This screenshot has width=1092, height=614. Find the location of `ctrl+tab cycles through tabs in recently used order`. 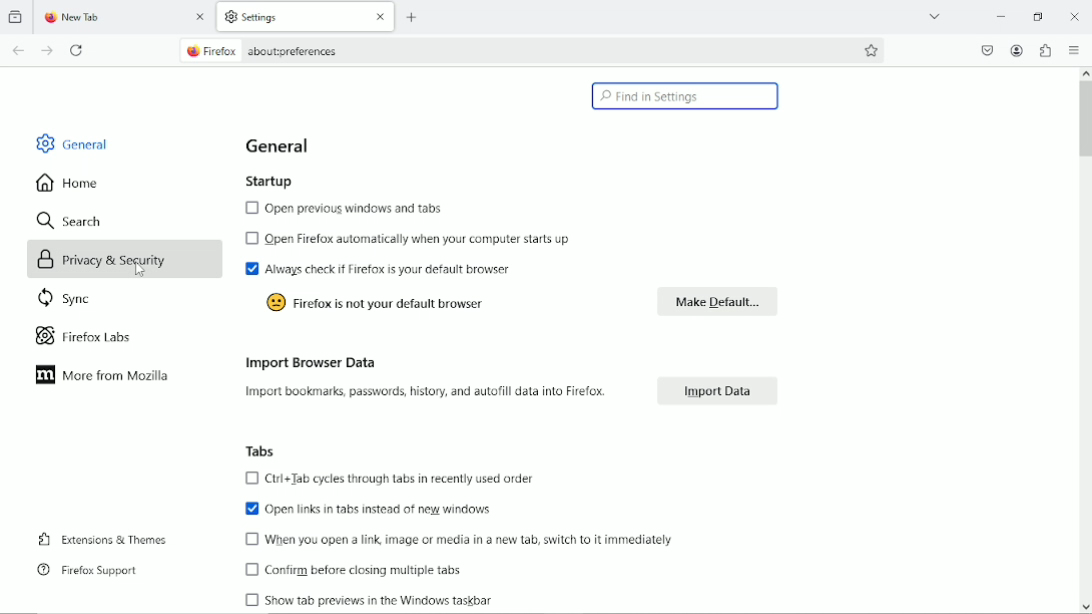

ctrl+tab cycles through tabs in recently used order is located at coordinates (405, 482).